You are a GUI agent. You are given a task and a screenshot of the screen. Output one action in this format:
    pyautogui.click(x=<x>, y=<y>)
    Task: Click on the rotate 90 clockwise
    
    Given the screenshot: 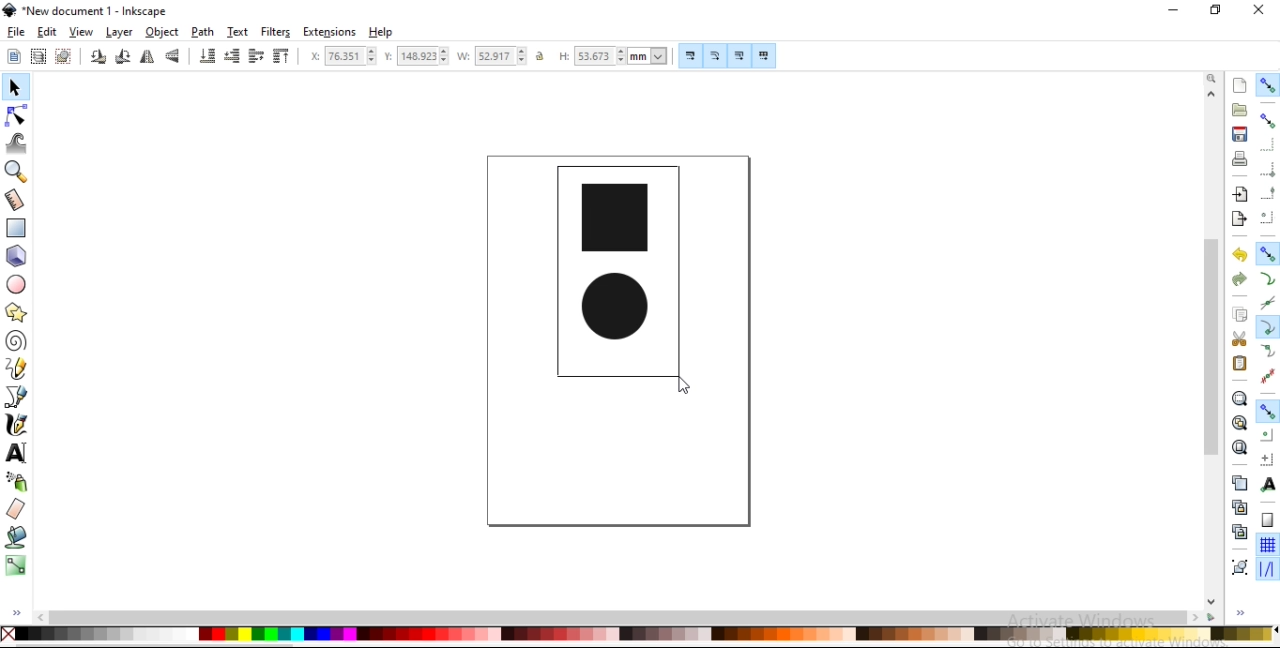 What is the action you would take?
    pyautogui.click(x=122, y=58)
    